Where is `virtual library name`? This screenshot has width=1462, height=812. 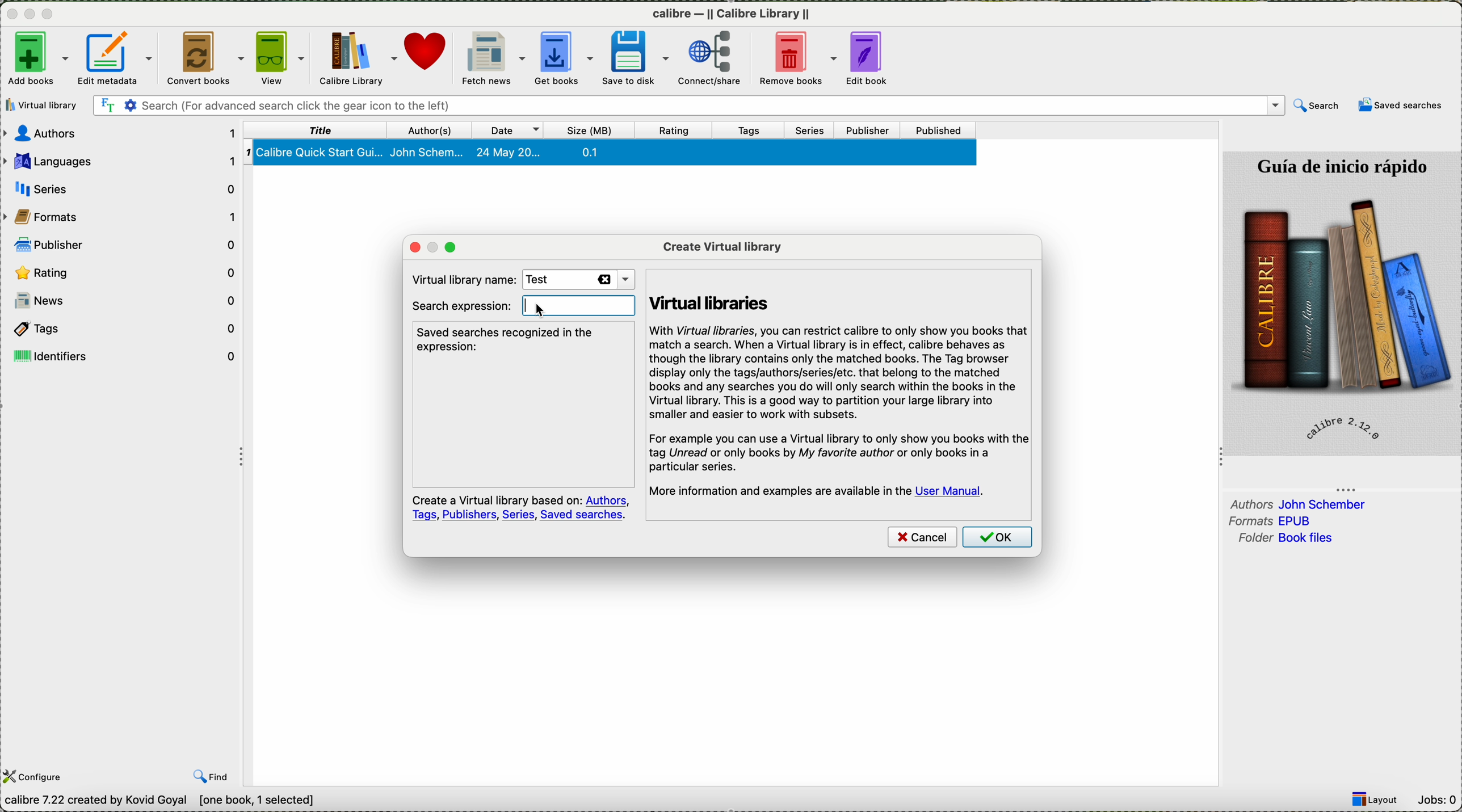 virtual library name is located at coordinates (459, 277).